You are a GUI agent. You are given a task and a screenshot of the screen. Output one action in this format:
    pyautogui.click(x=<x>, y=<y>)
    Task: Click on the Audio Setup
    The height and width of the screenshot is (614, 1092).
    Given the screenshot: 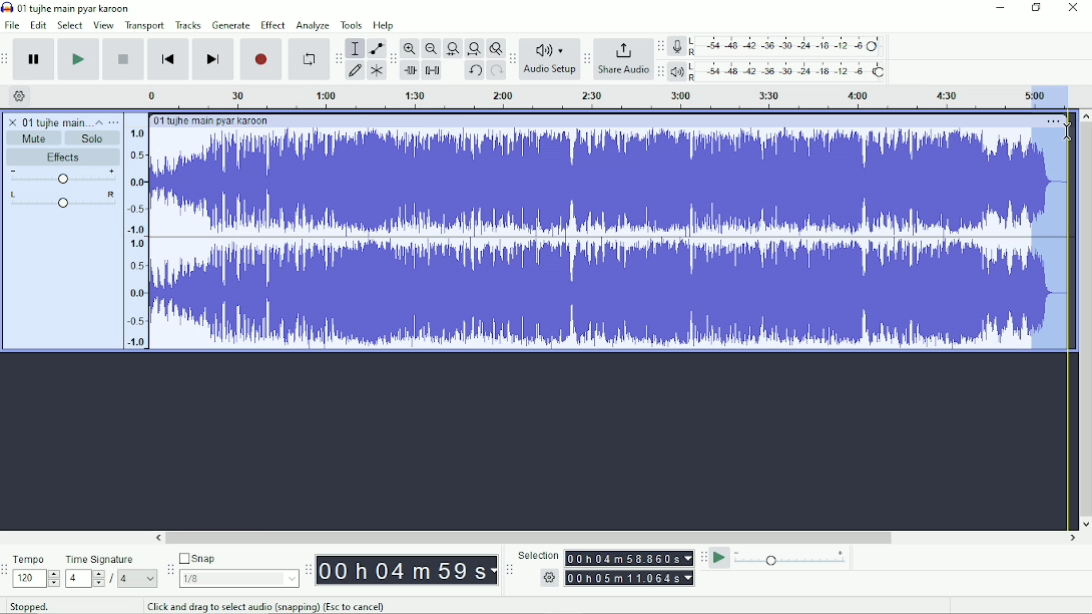 What is the action you would take?
    pyautogui.click(x=550, y=59)
    